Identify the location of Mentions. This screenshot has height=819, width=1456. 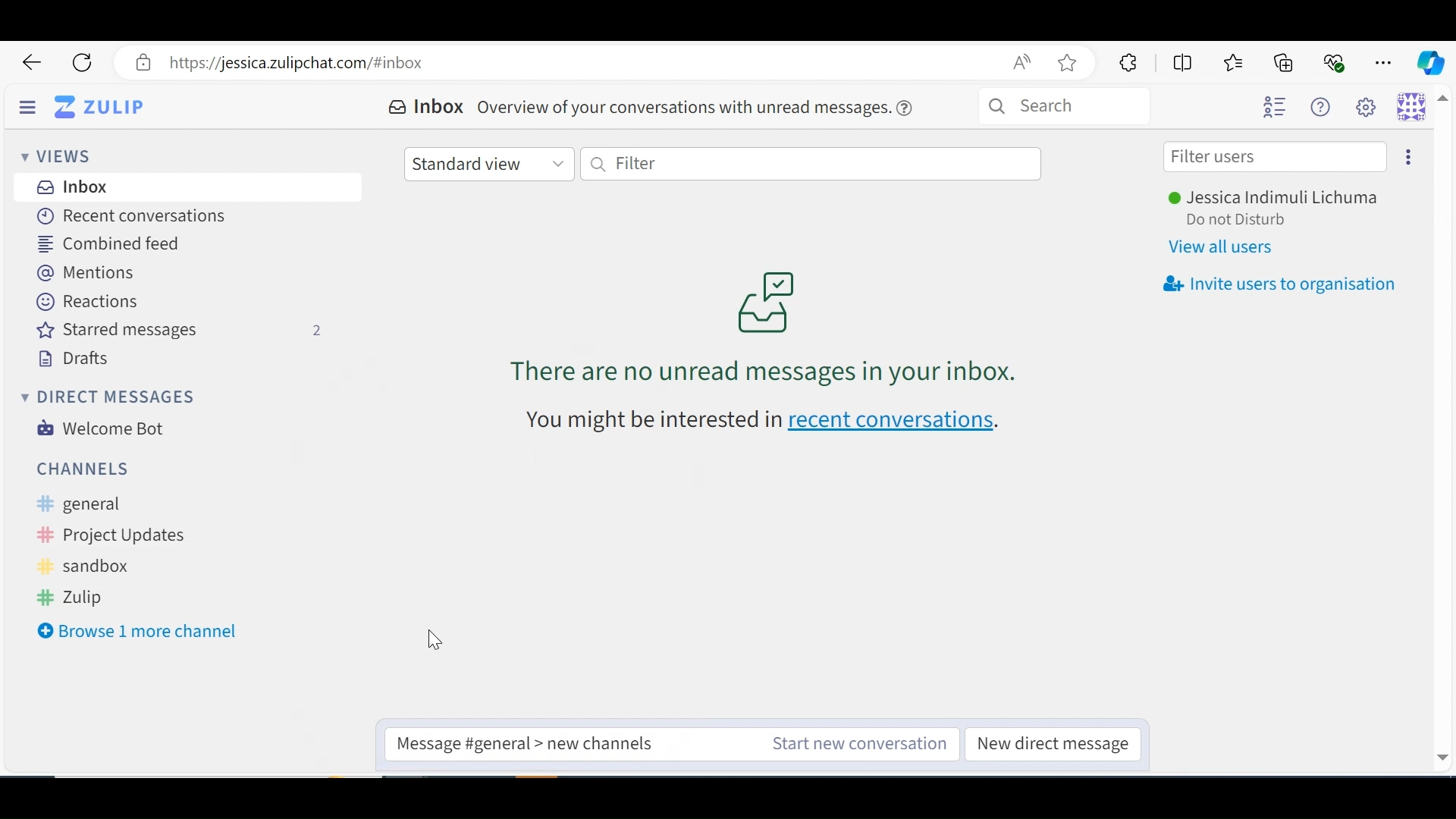
(88, 272).